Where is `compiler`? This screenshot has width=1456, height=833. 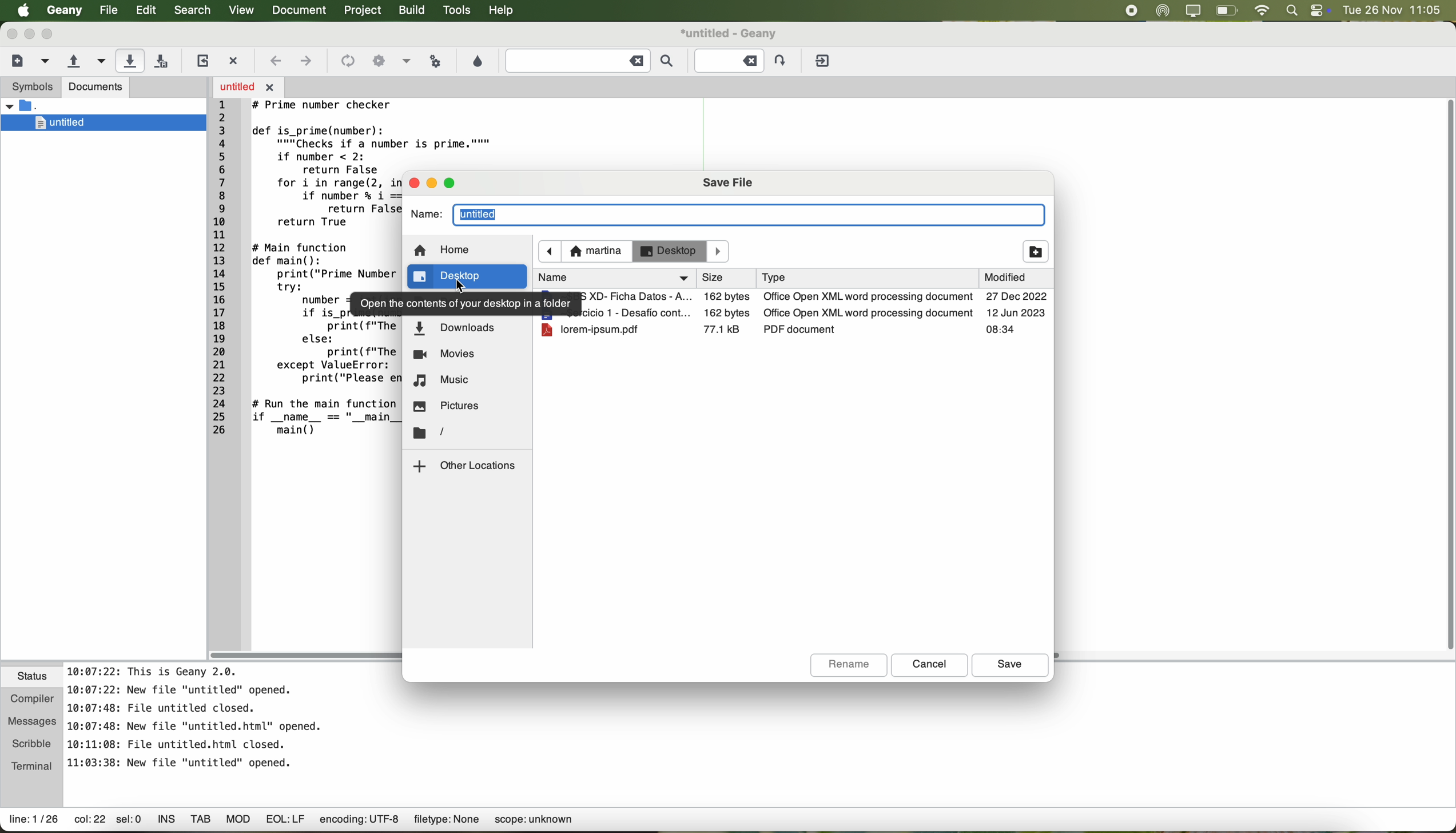
compiler is located at coordinates (33, 697).